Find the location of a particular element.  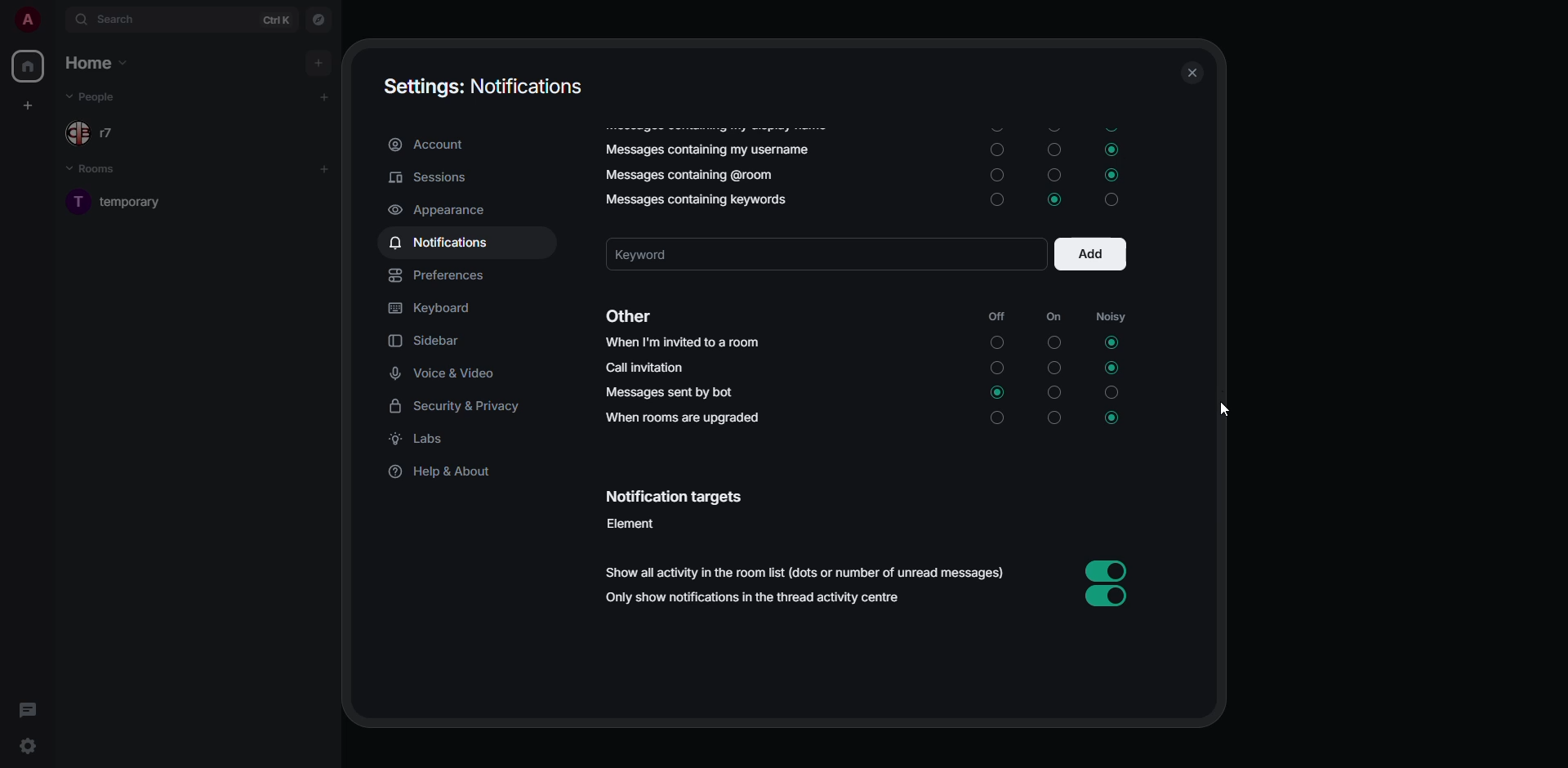

ctrl K is located at coordinates (277, 19).